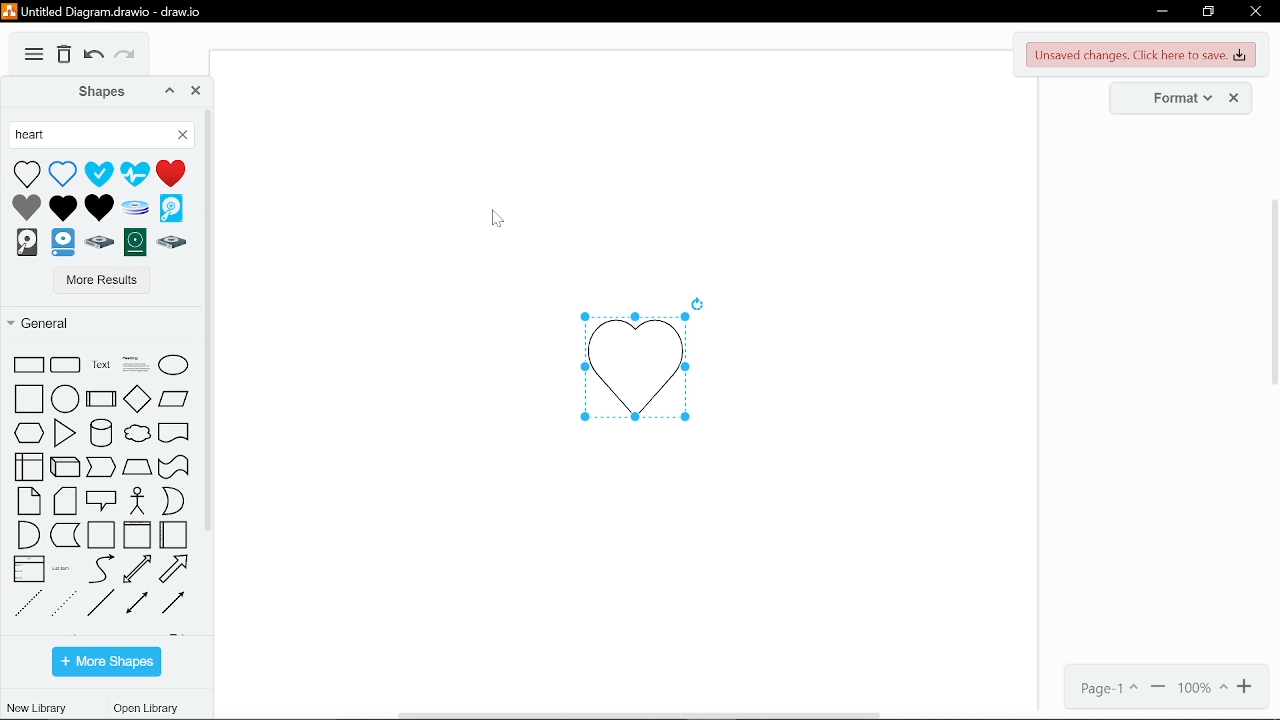 This screenshot has height=720, width=1280. Describe the element at coordinates (62, 172) in the screenshot. I see `heart` at that location.